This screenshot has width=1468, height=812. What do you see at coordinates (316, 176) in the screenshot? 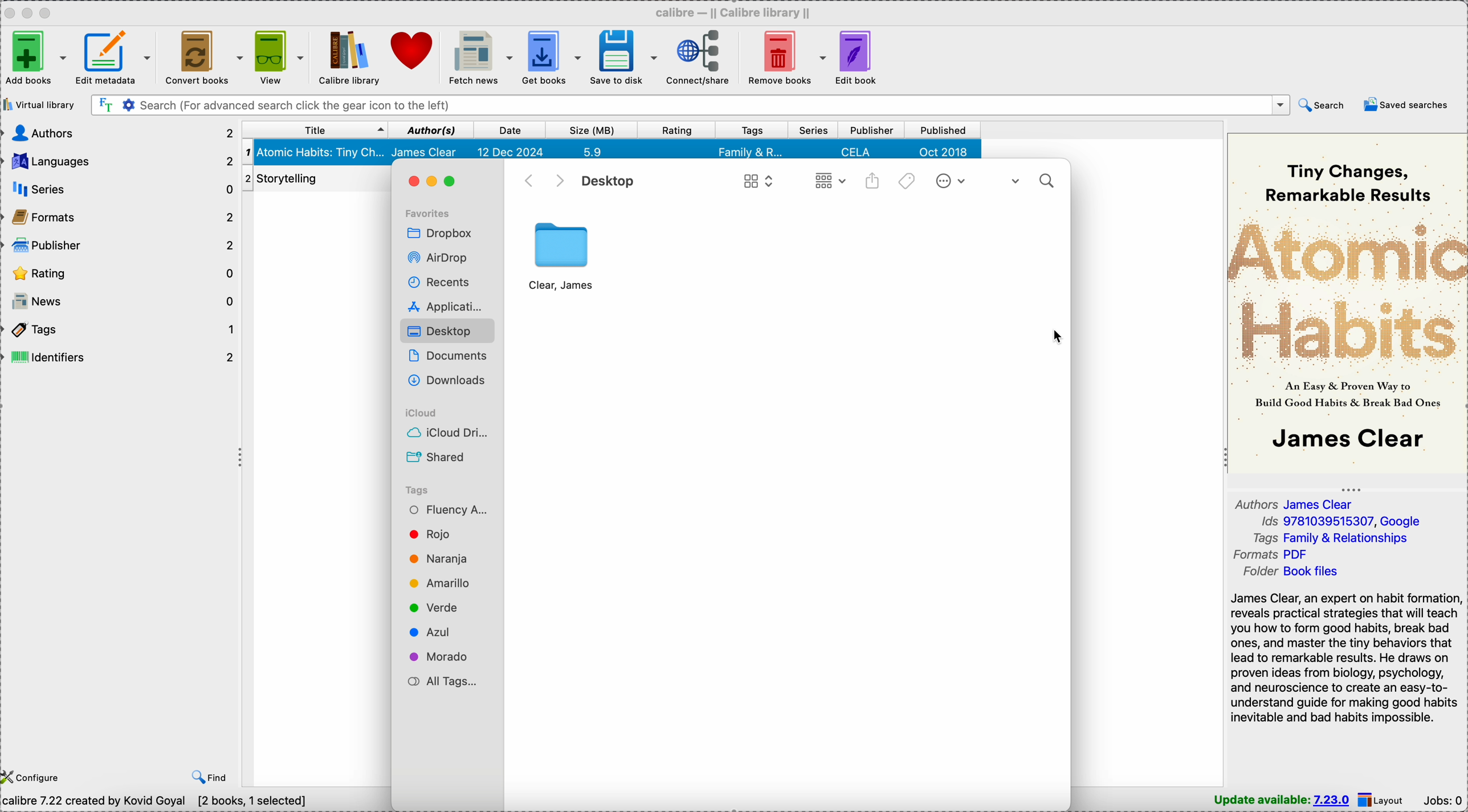
I see `Storytelling book details` at bounding box center [316, 176].